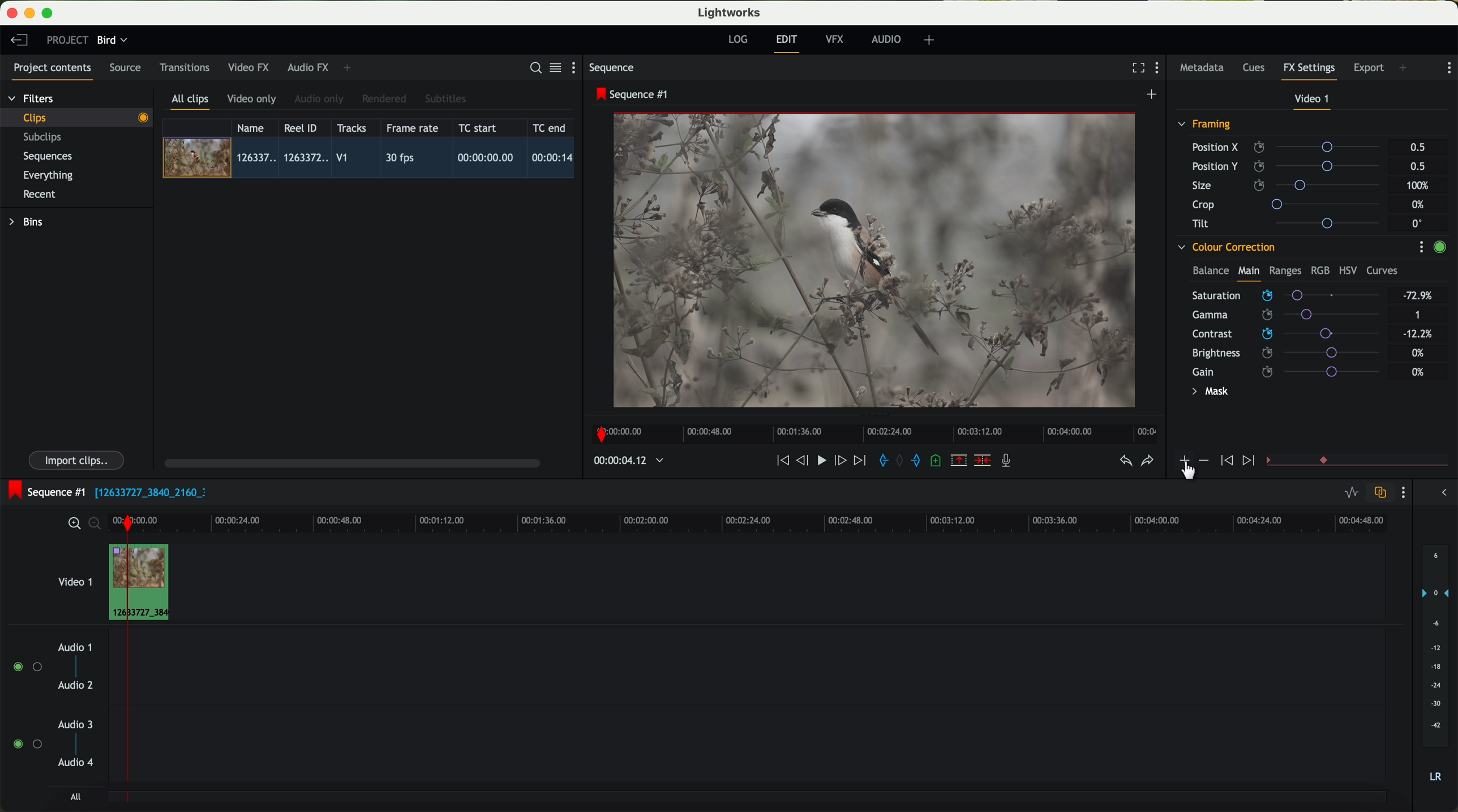 The image size is (1458, 812). I want to click on search for assets or bins, so click(532, 68).